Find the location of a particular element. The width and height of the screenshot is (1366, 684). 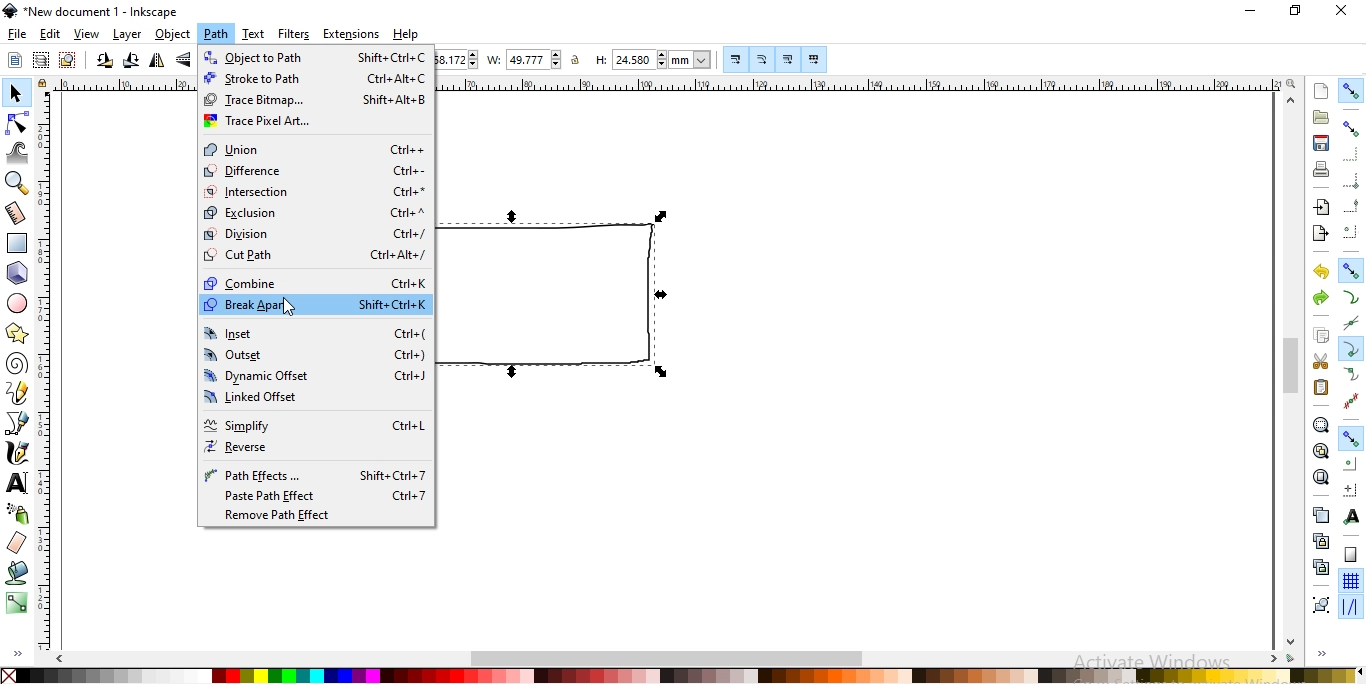

snap to paths is located at coordinates (1352, 297).